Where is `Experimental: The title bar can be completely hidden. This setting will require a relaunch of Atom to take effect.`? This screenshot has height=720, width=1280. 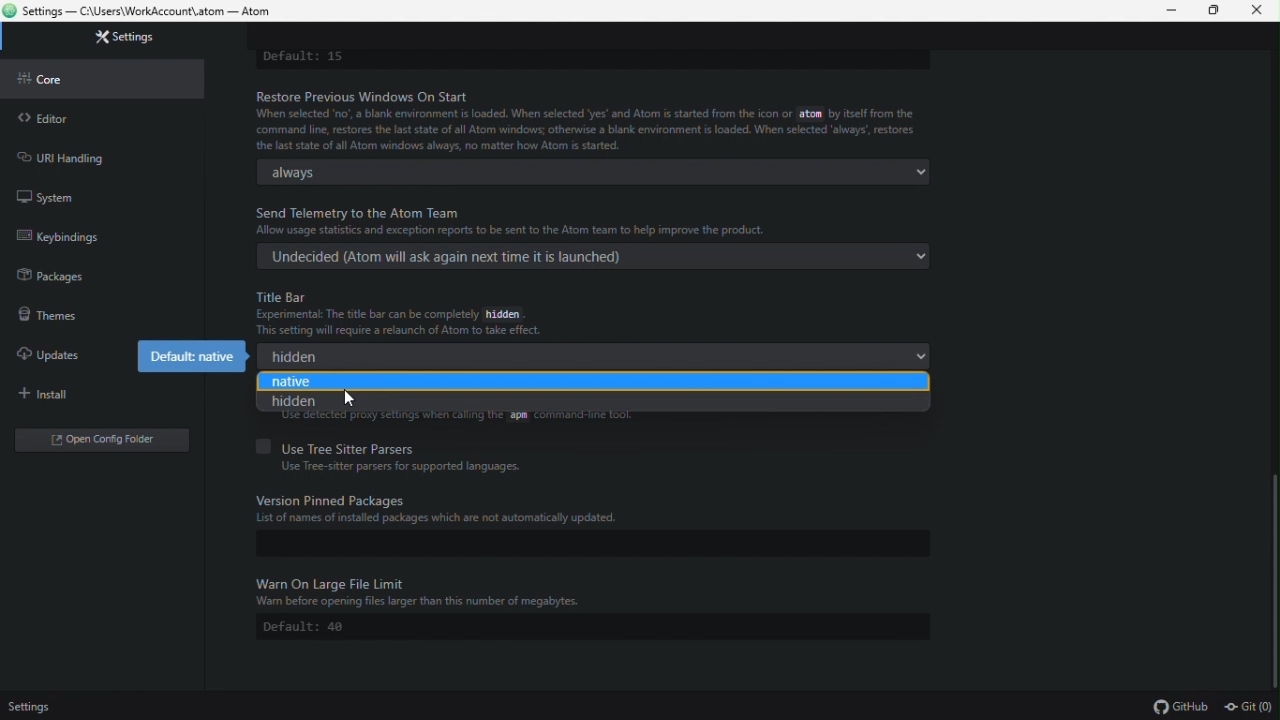
Experimental: The title bar can be completely hidden. This setting will require a relaunch of Atom to take effect. is located at coordinates (402, 323).